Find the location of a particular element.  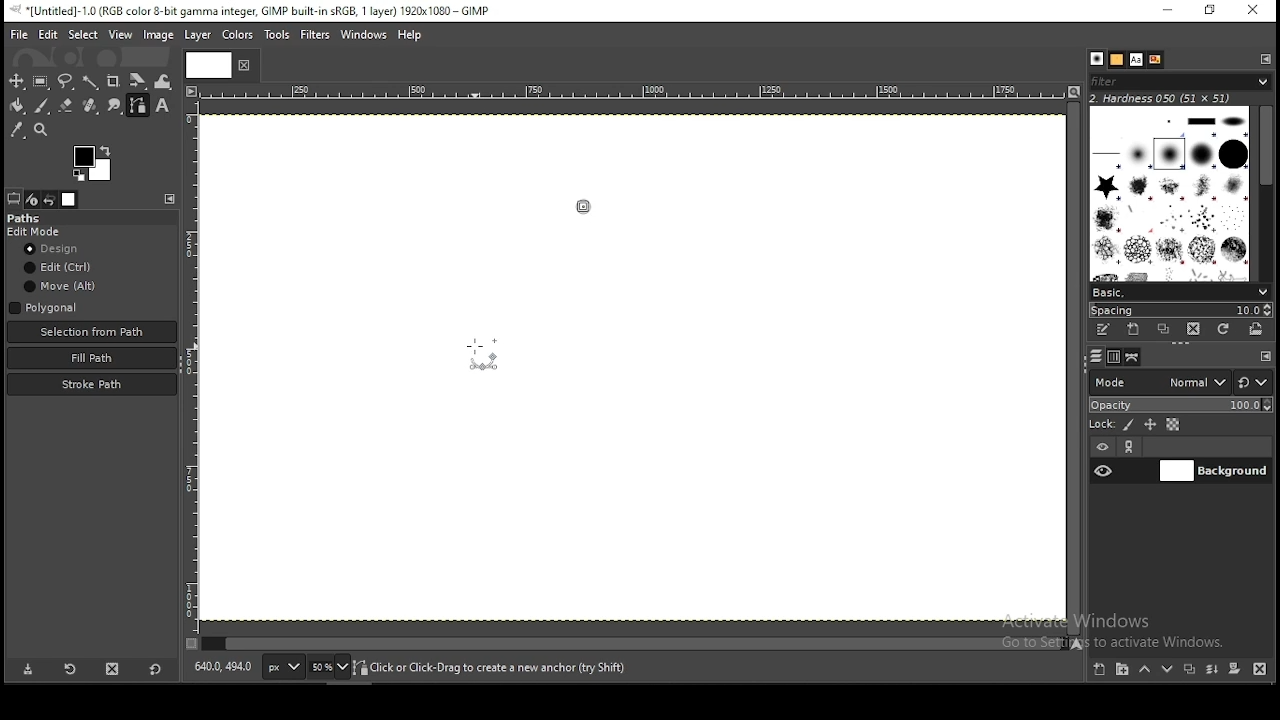

selection from path is located at coordinates (90, 332).